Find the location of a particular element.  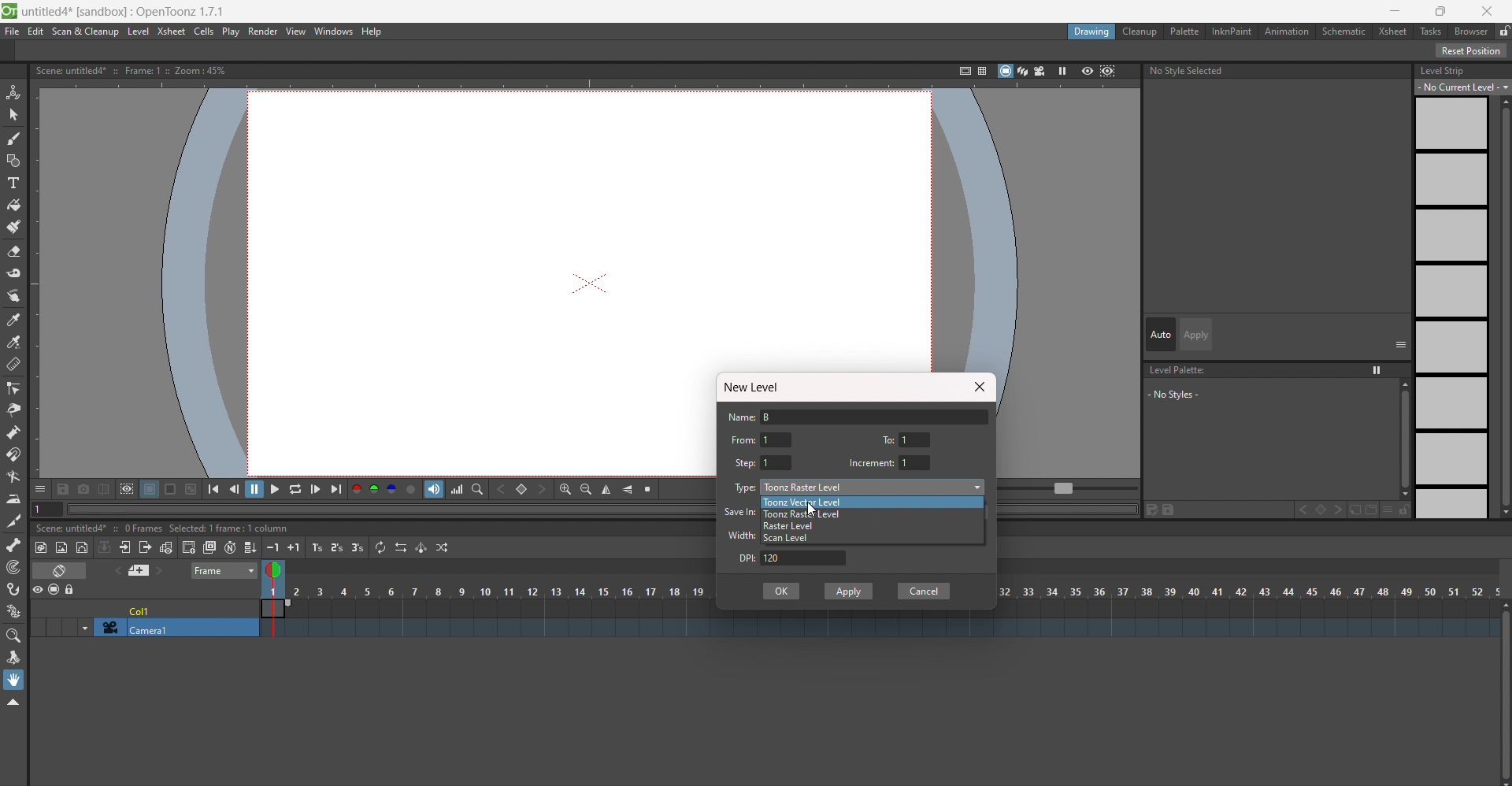

tape tool is located at coordinates (14, 273).